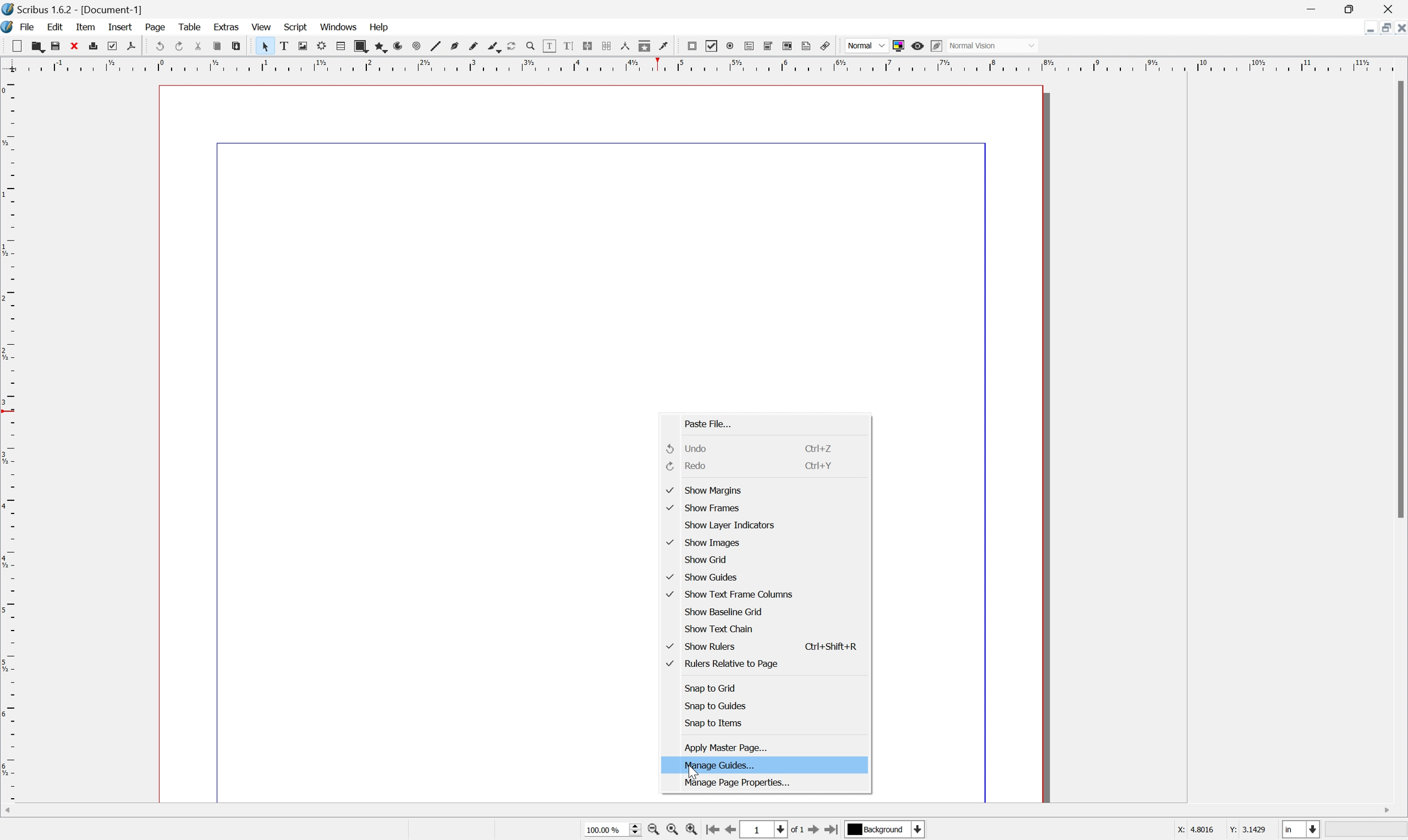  I want to click on open, so click(40, 48).